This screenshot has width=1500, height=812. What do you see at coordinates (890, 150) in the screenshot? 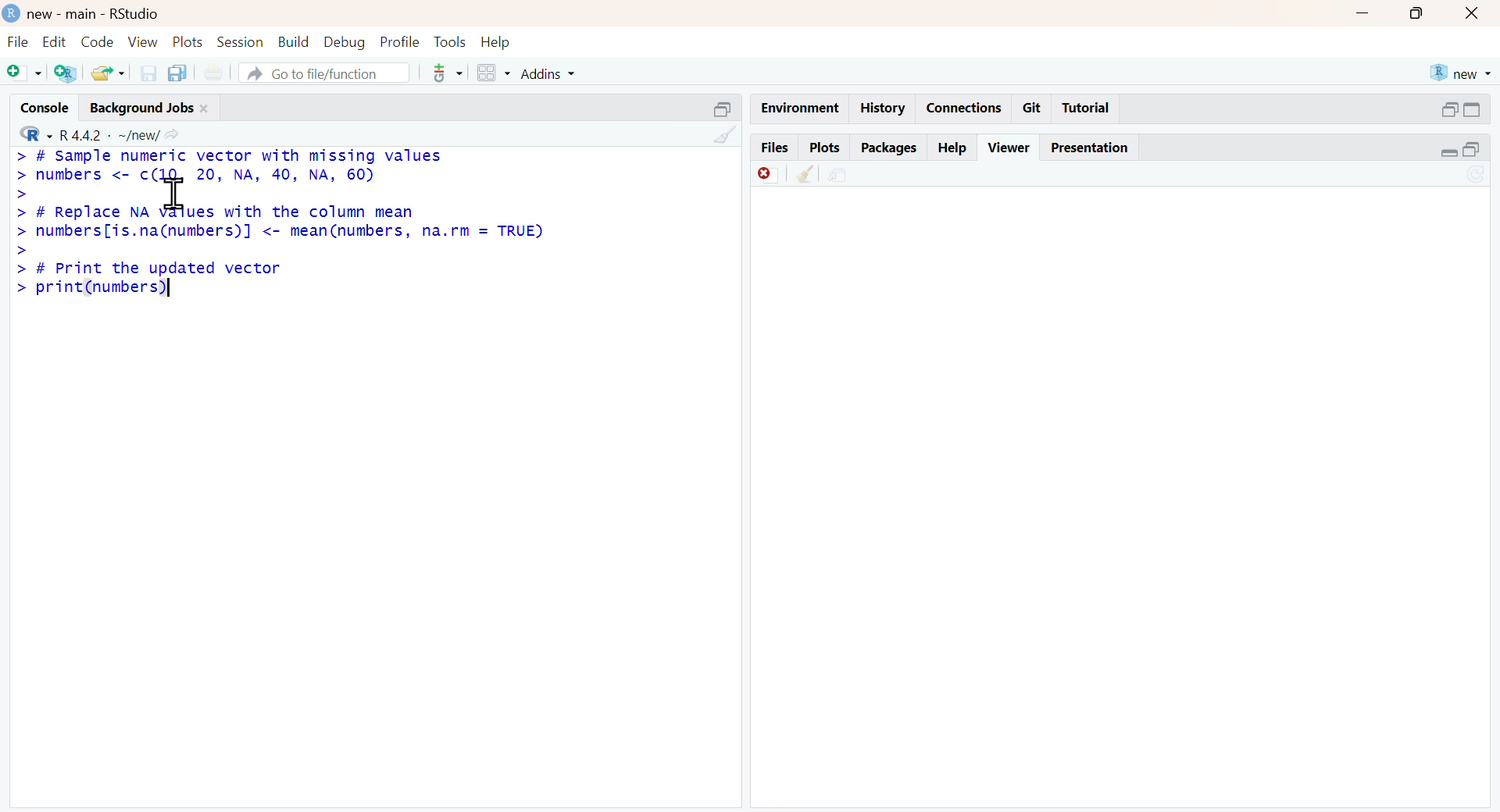
I see `packages` at bounding box center [890, 150].